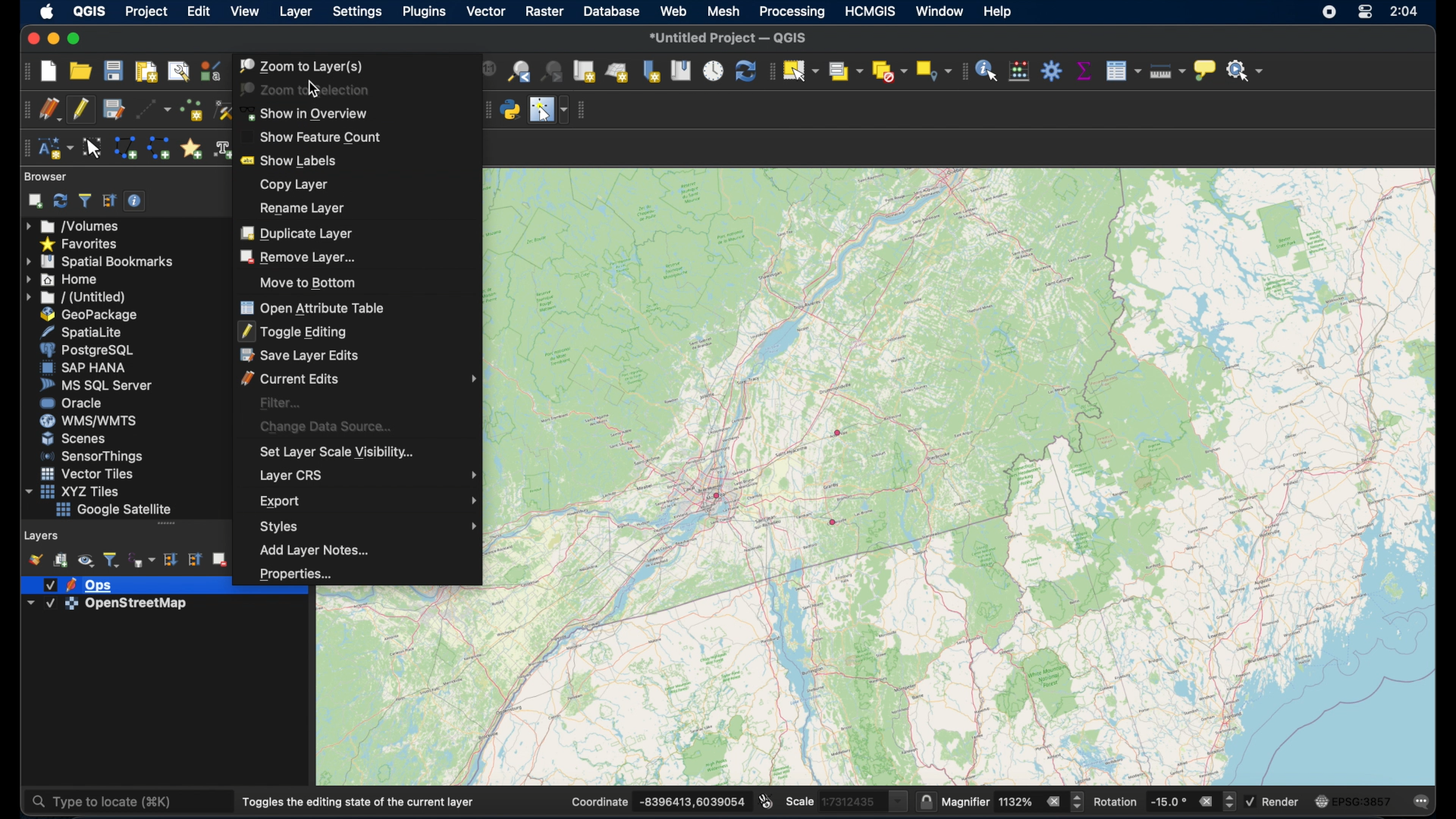 Image resolution: width=1456 pixels, height=819 pixels. What do you see at coordinates (1247, 73) in the screenshot?
I see `no action selected` at bounding box center [1247, 73].